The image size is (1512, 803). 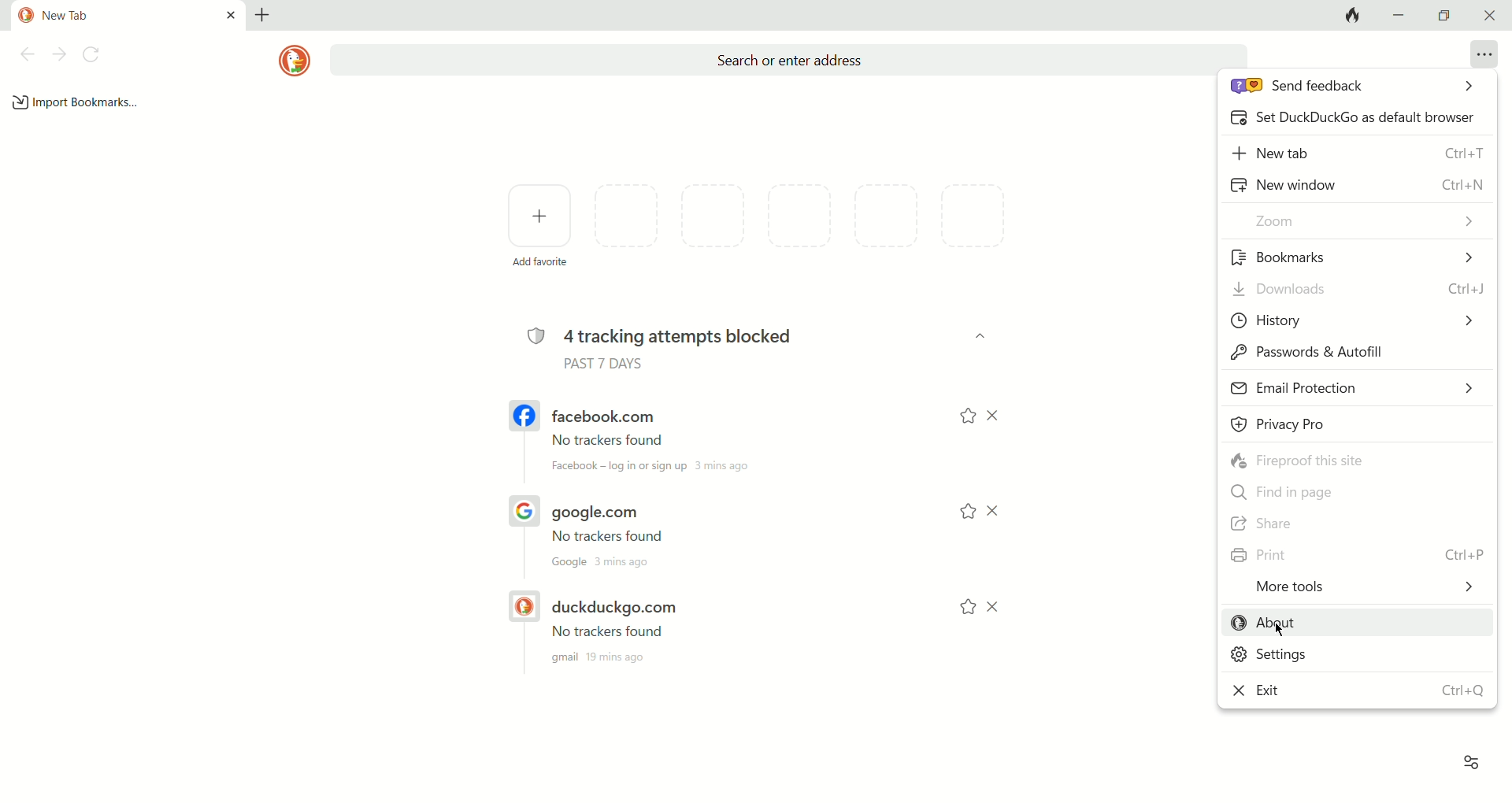 What do you see at coordinates (290, 61) in the screenshot?
I see `logo` at bounding box center [290, 61].